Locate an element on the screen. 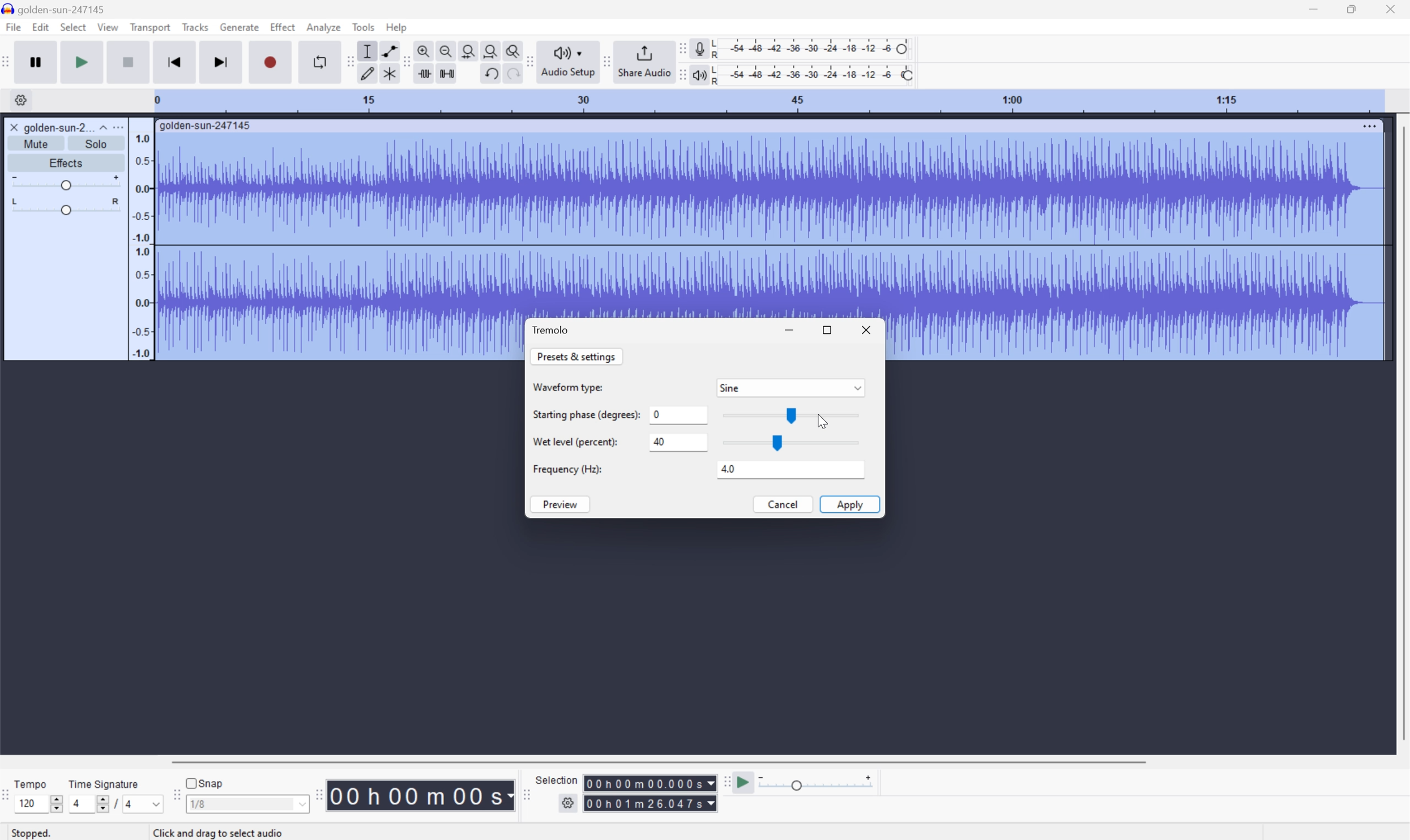  Drop Down is located at coordinates (856, 388).